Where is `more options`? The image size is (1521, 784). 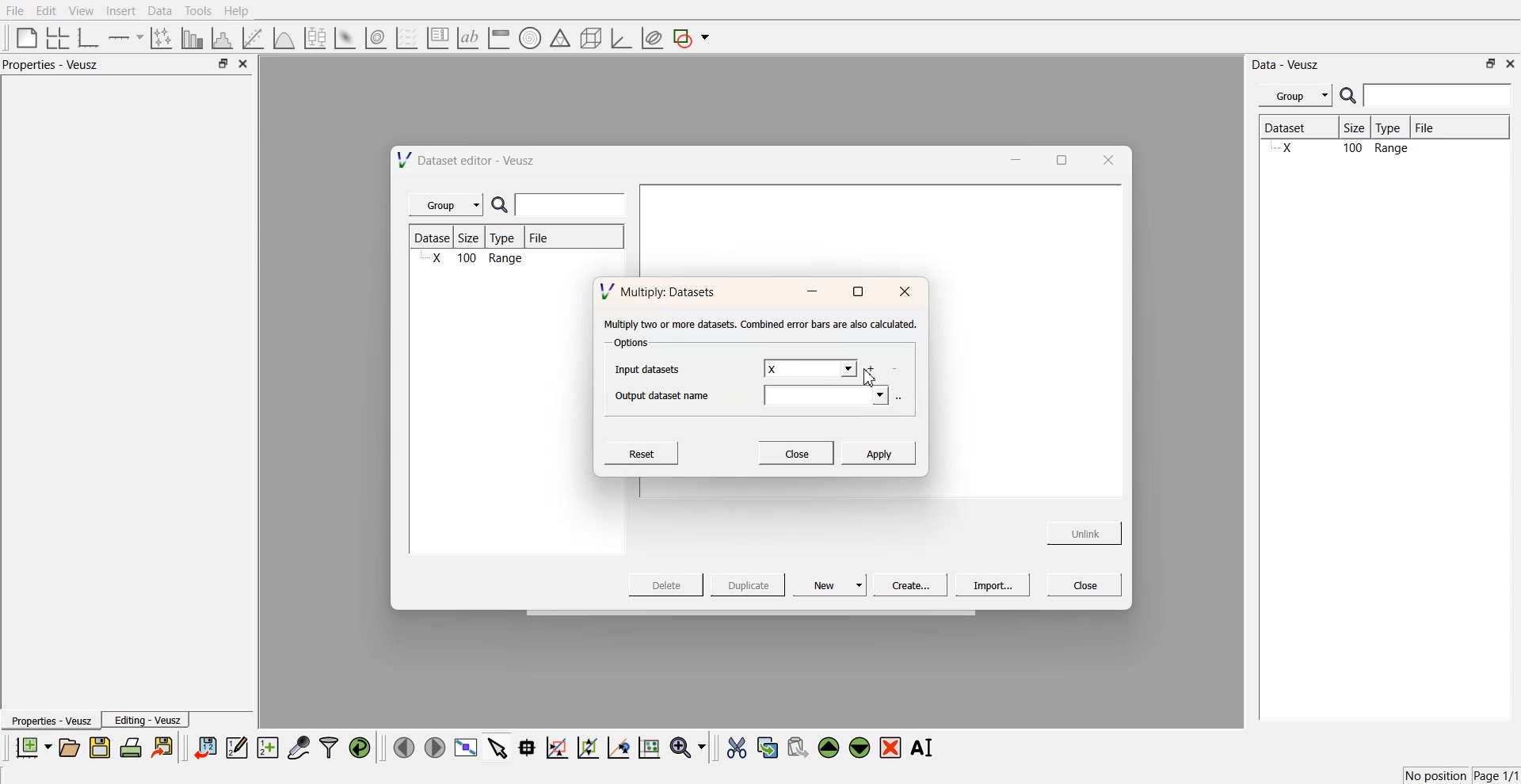 more options is located at coordinates (899, 397).